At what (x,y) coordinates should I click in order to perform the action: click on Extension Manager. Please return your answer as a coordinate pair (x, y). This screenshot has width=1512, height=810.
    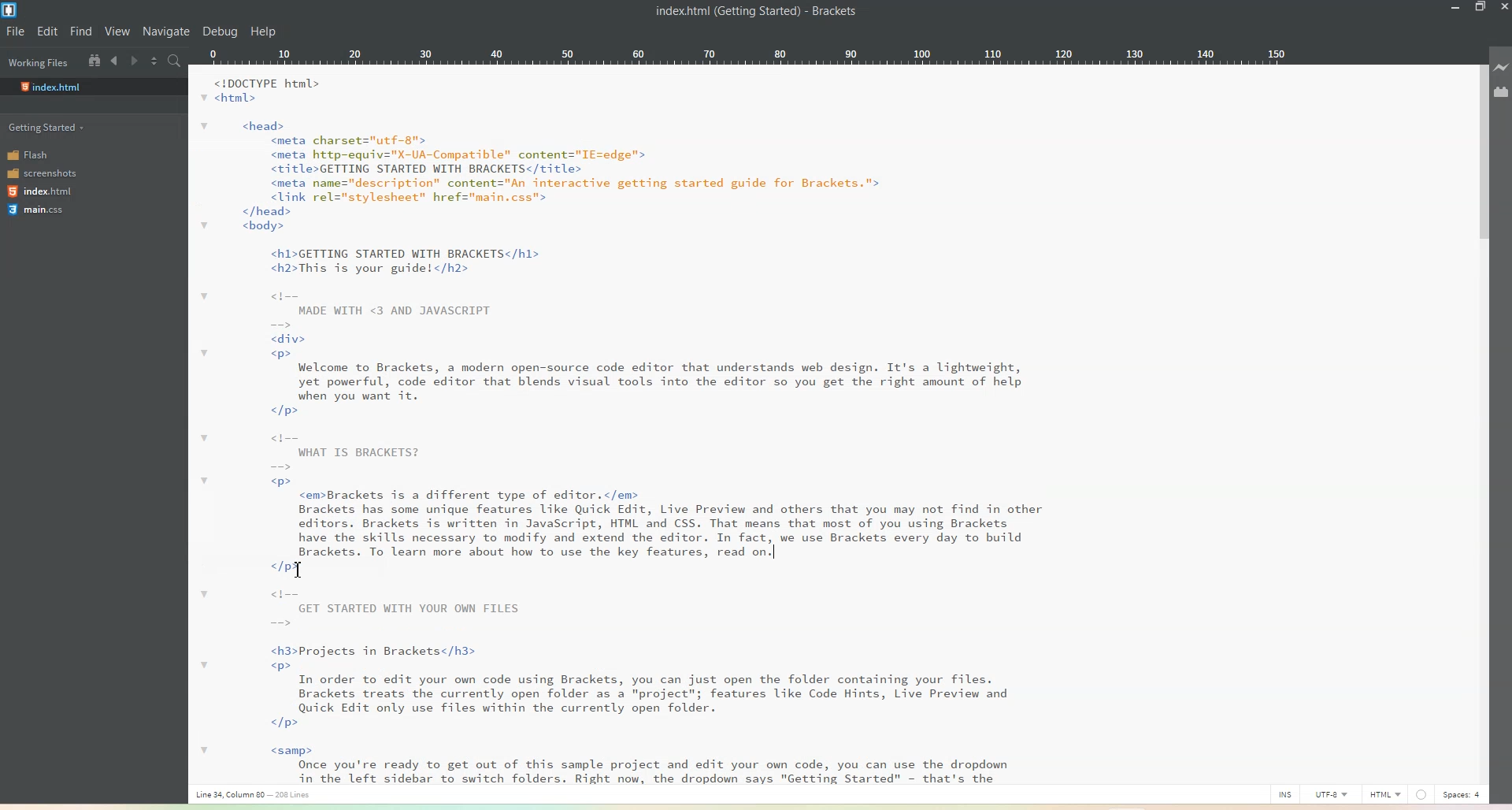
    Looking at the image, I should click on (1502, 91).